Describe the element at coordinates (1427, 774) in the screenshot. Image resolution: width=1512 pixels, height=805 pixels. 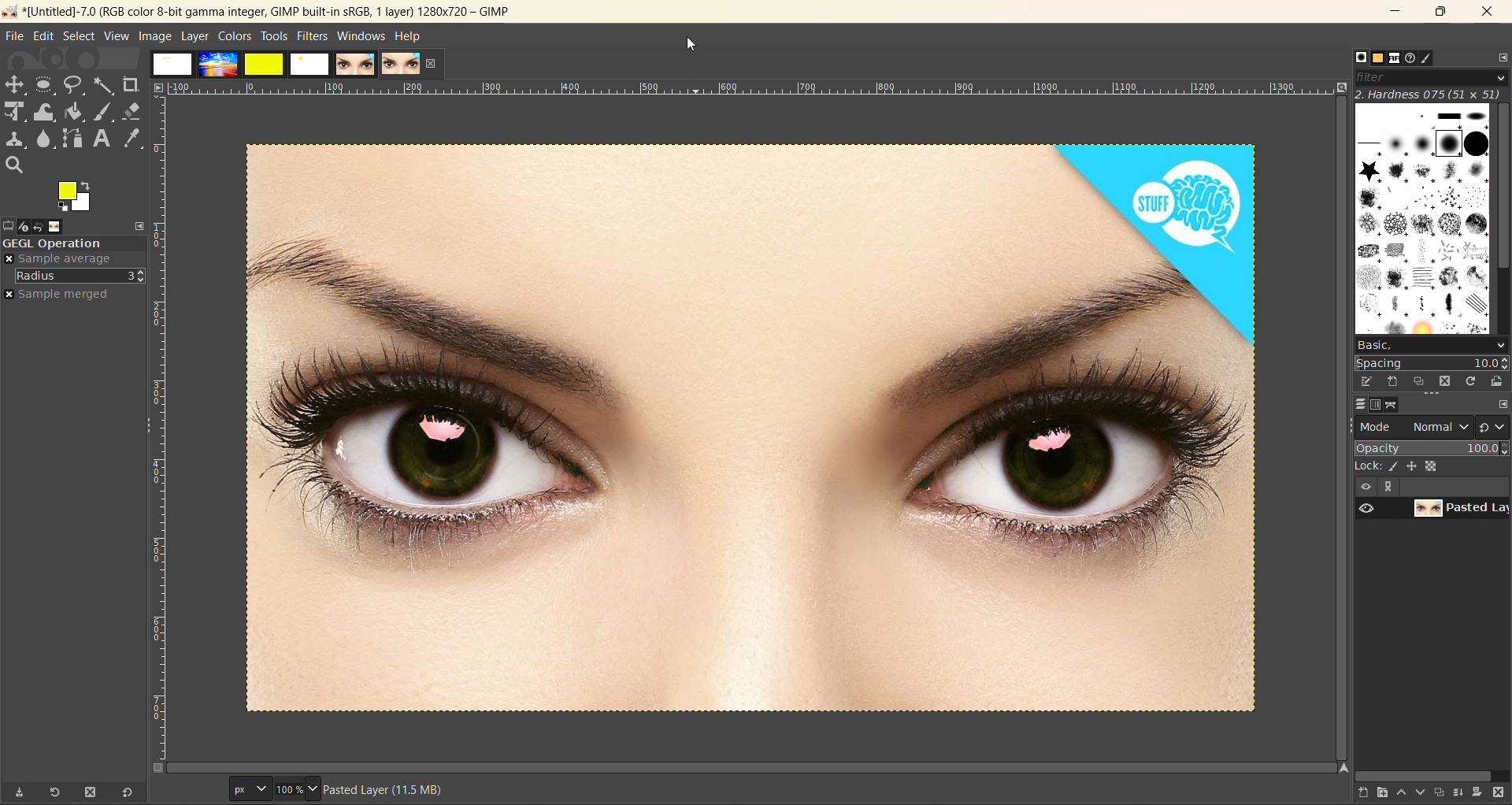
I see `horizontal scroll bar` at that location.